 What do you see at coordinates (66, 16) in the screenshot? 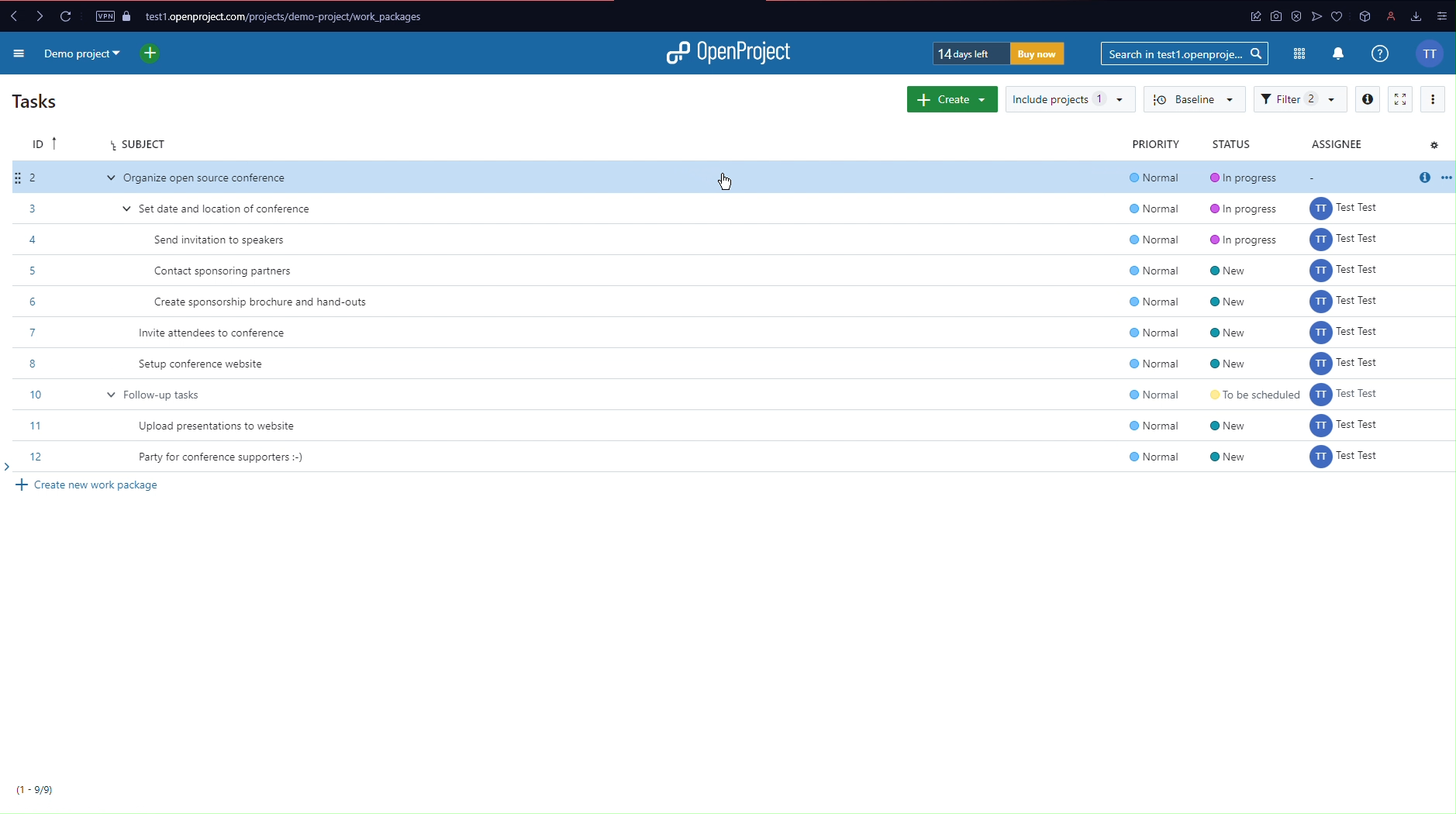
I see `Reload Page` at bounding box center [66, 16].